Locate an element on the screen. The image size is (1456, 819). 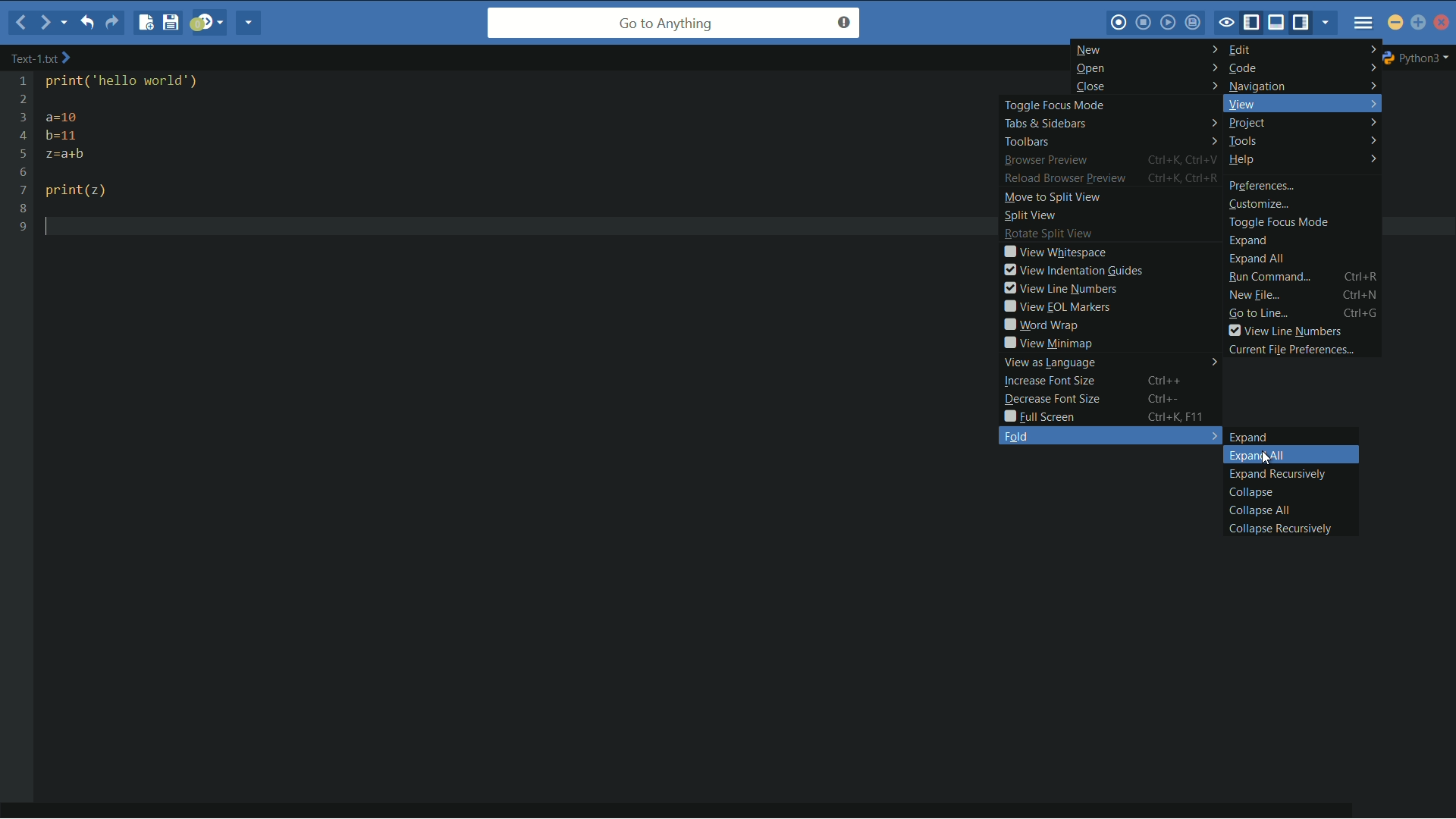
expand all is located at coordinates (1255, 456).